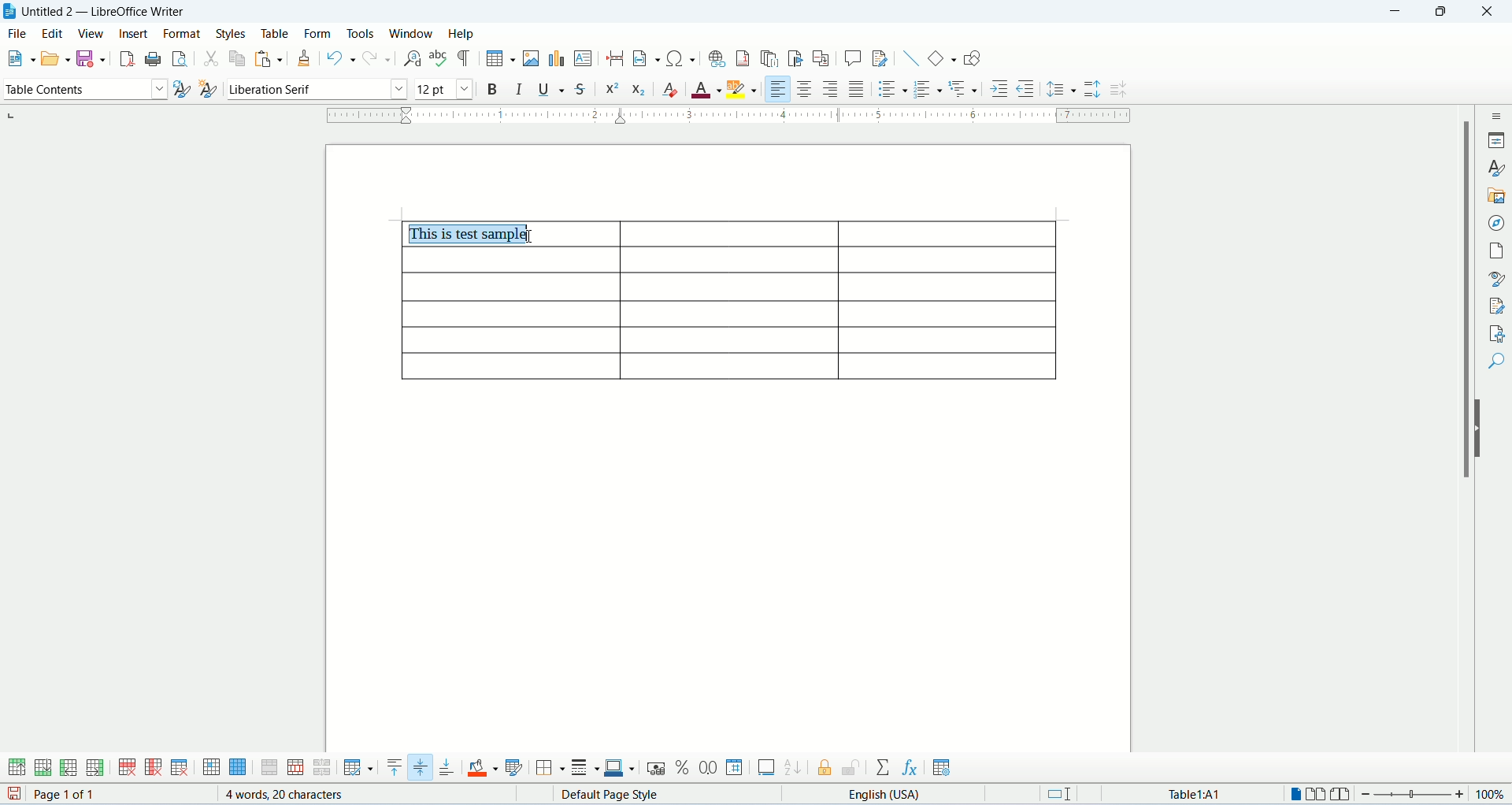  Describe the element at coordinates (613, 92) in the screenshot. I see `superscript` at that location.